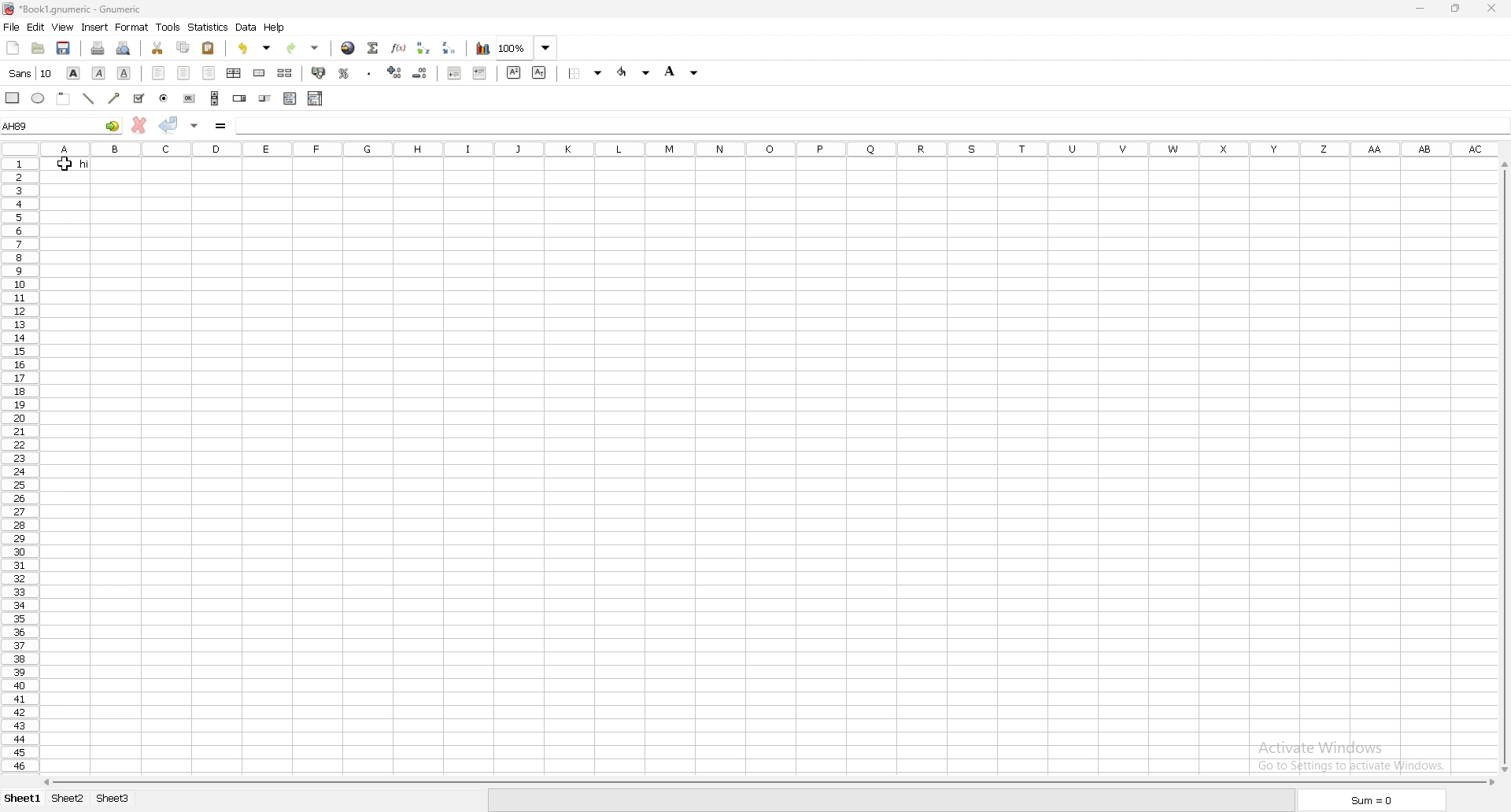 The image size is (1511, 812). Describe the element at coordinates (397, 48) in the screenshot. I see `function` at that location.